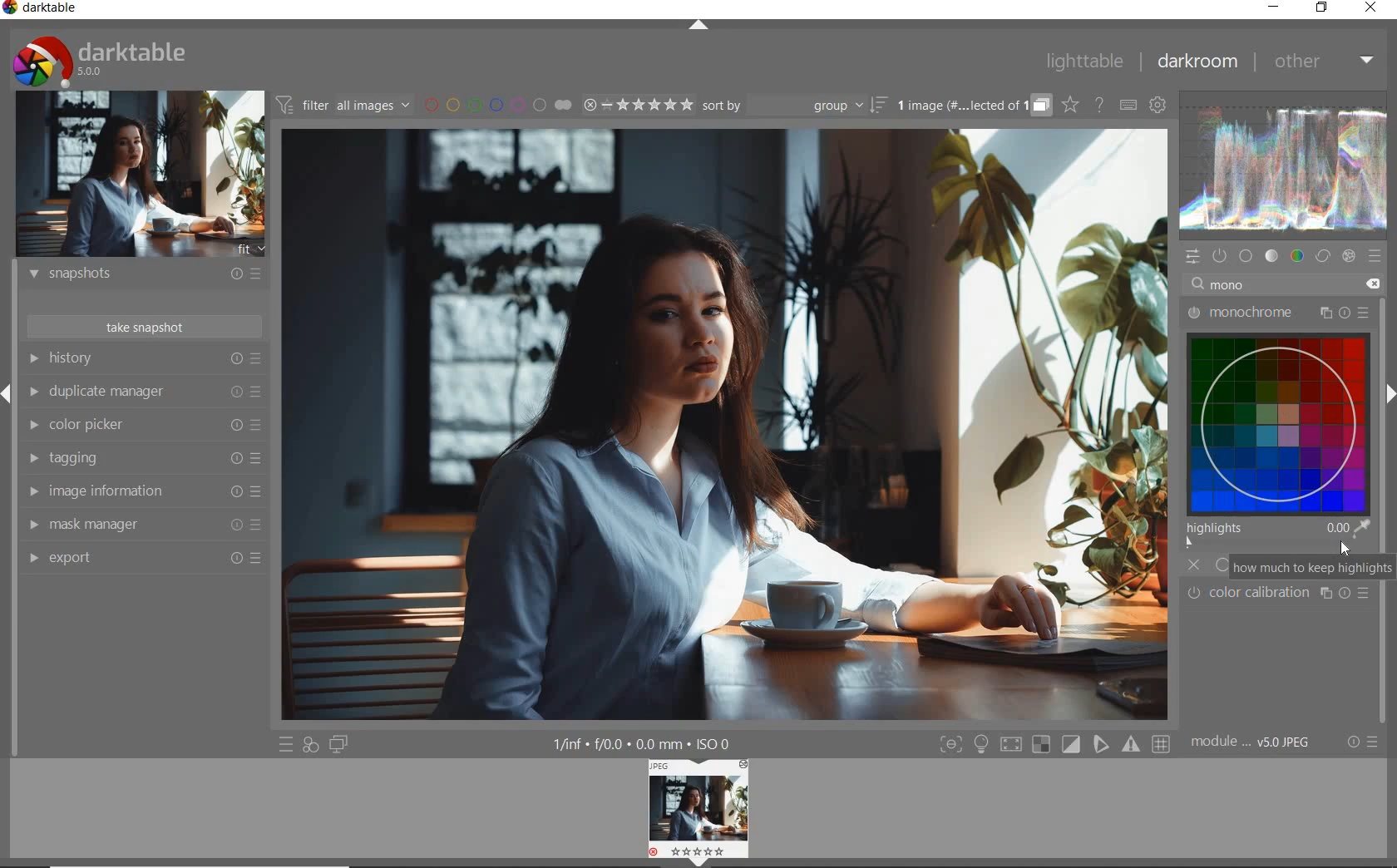 The width and height of the screenshot is (1397, 868). I want to click on waveform, so click(1283, 166).